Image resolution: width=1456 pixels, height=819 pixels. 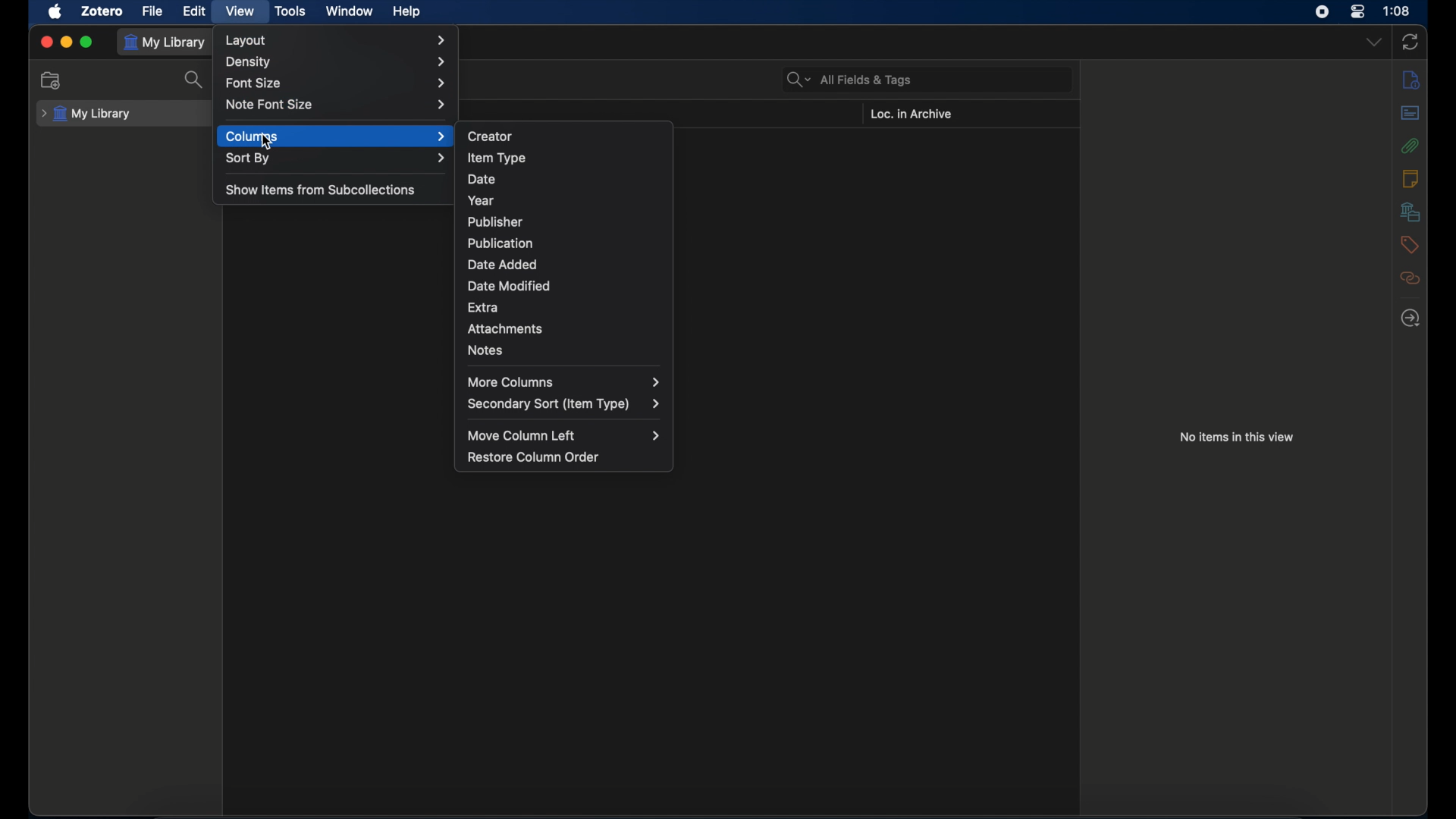 What do you see at coordinates (502, 265) in the screenshot?
I see `date added` at bounding box center [502, 265].